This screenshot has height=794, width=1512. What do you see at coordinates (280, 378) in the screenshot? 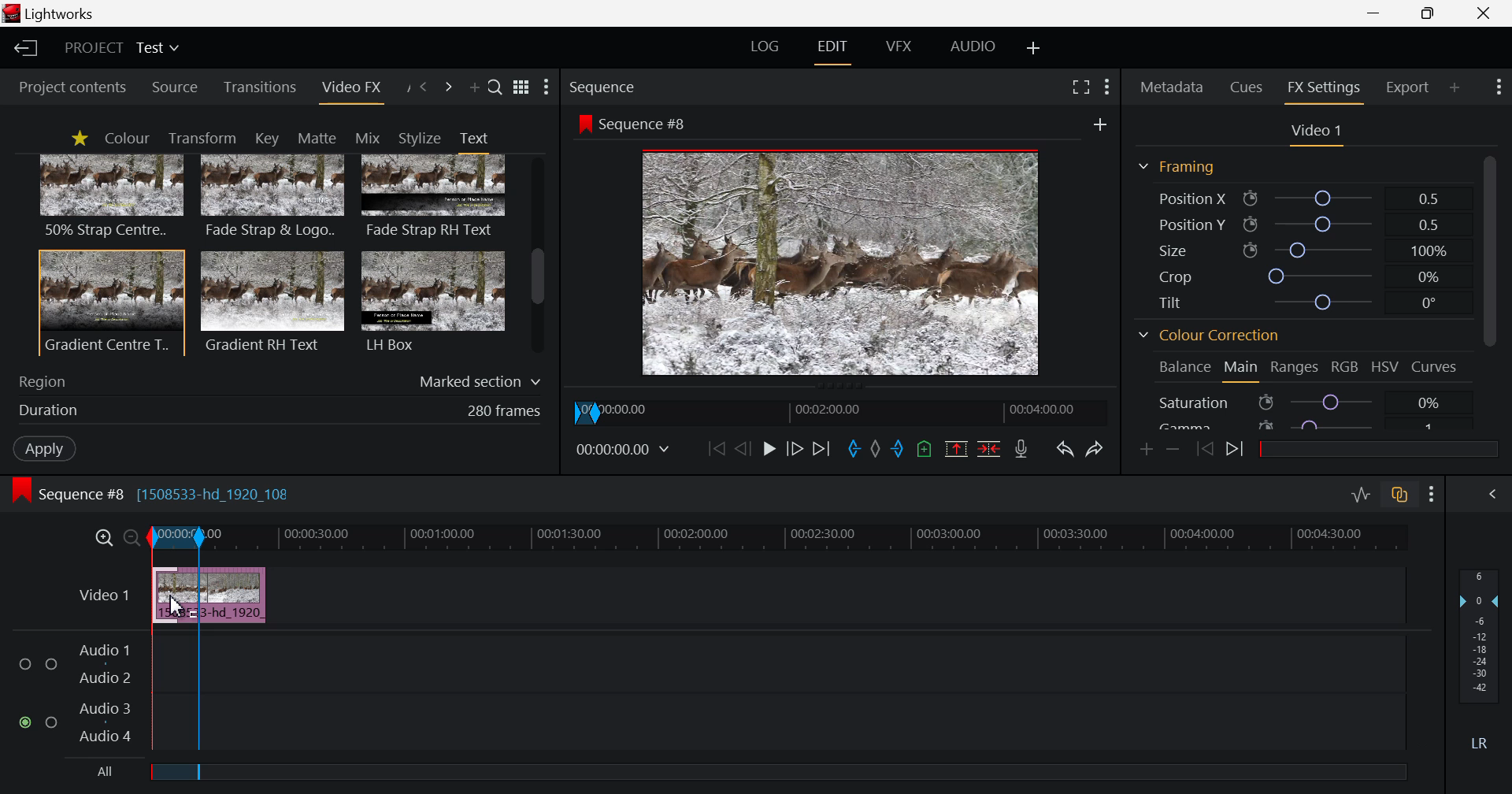
I see `Region` at bounding box center [280, 378].